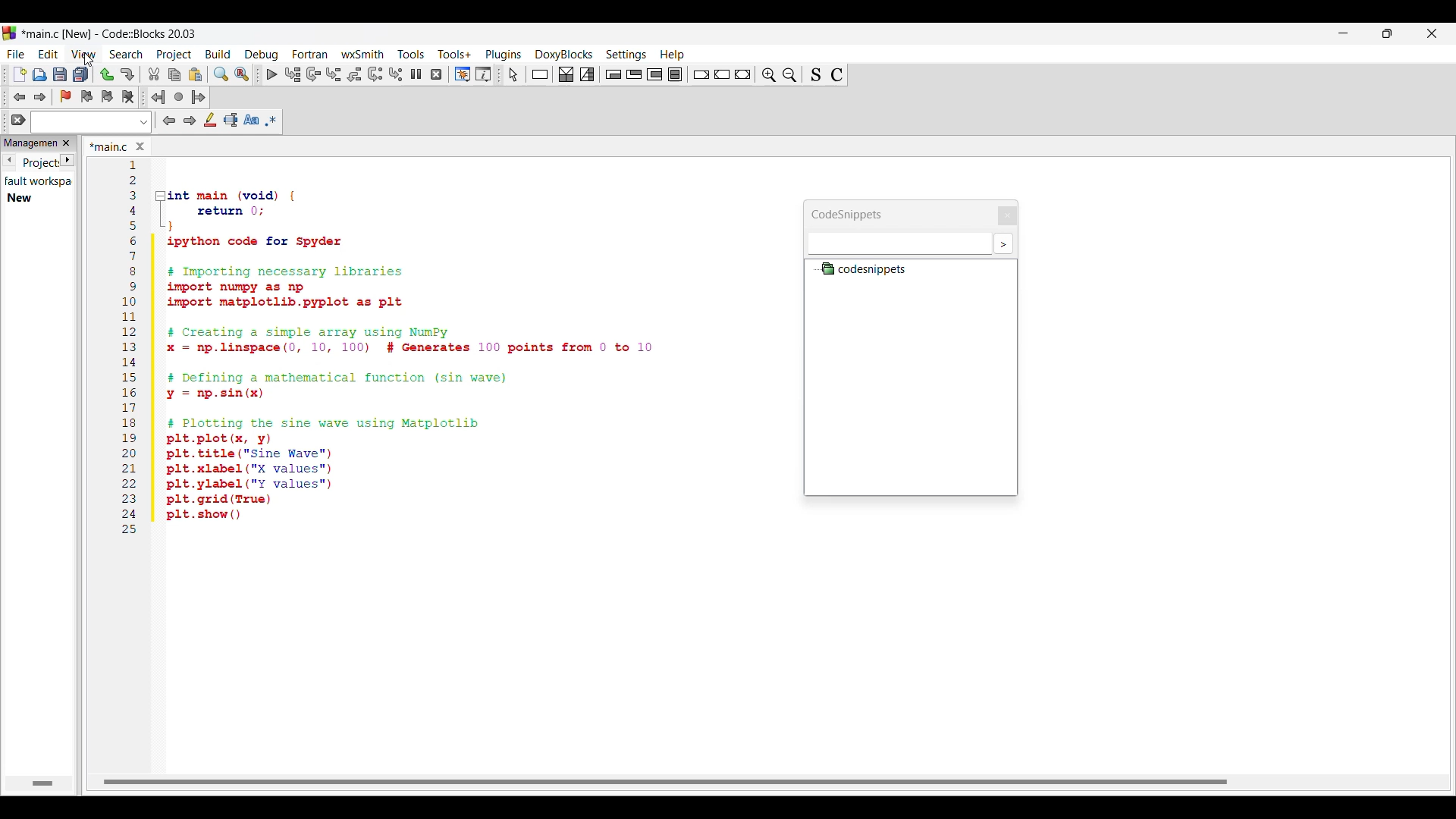  What do you see at coordinates (389, 349) in the screenshot?
I see `Current code` at bounding box center [389, 349].